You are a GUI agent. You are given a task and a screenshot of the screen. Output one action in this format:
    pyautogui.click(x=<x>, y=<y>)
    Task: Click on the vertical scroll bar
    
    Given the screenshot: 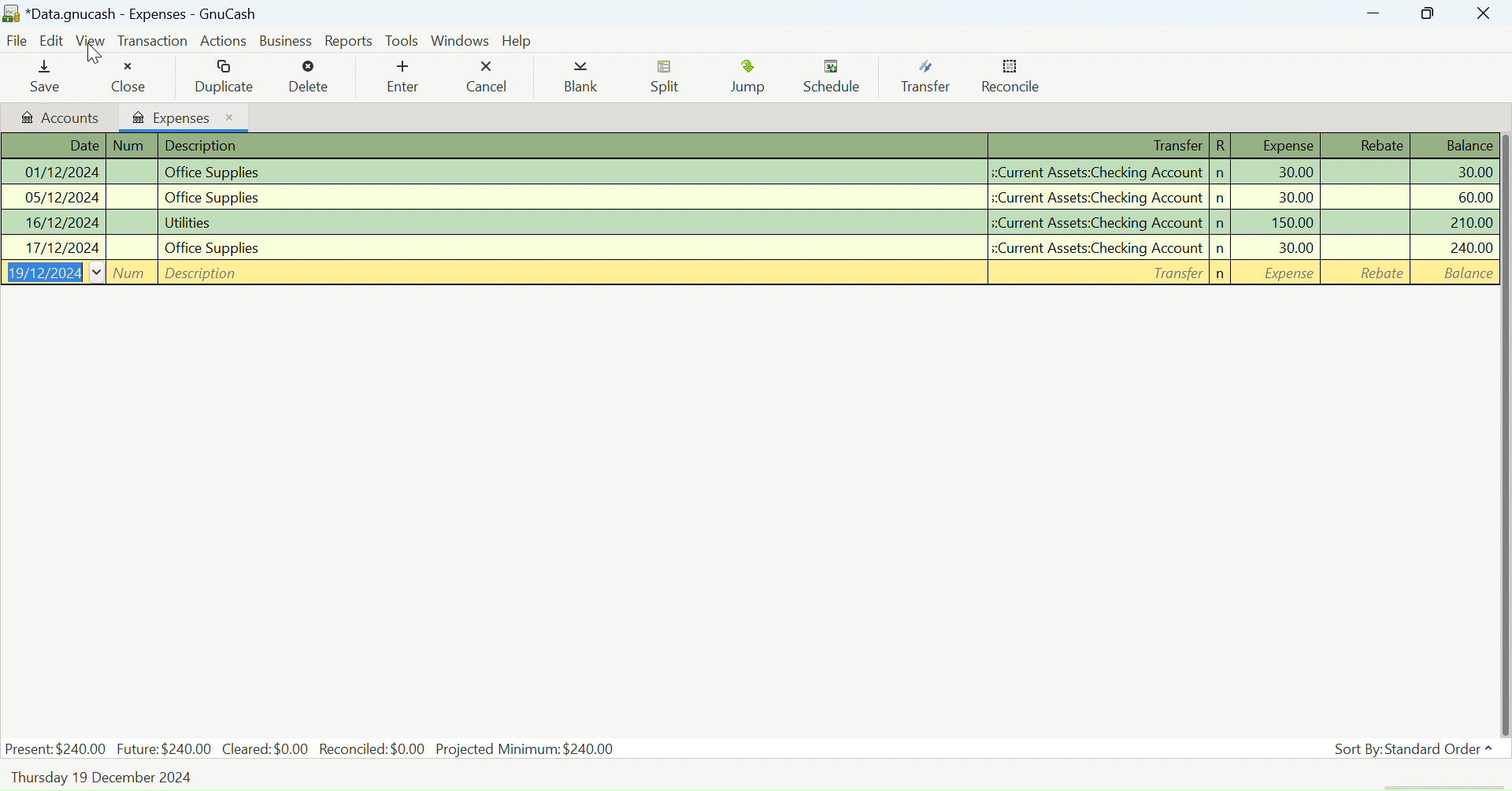 What is the action you would take?
    pyautogui.click(x=1503, y=433)
    